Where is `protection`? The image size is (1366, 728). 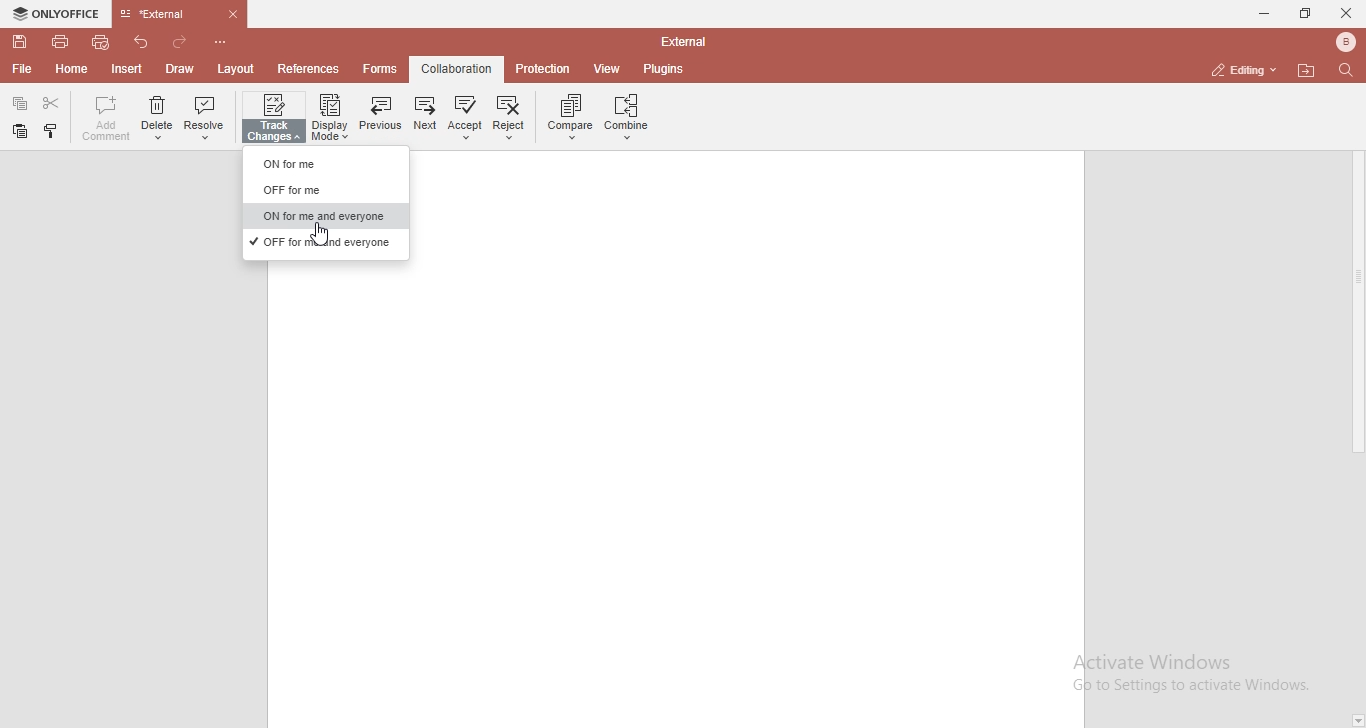
protection is located at coordinates (544, 68).